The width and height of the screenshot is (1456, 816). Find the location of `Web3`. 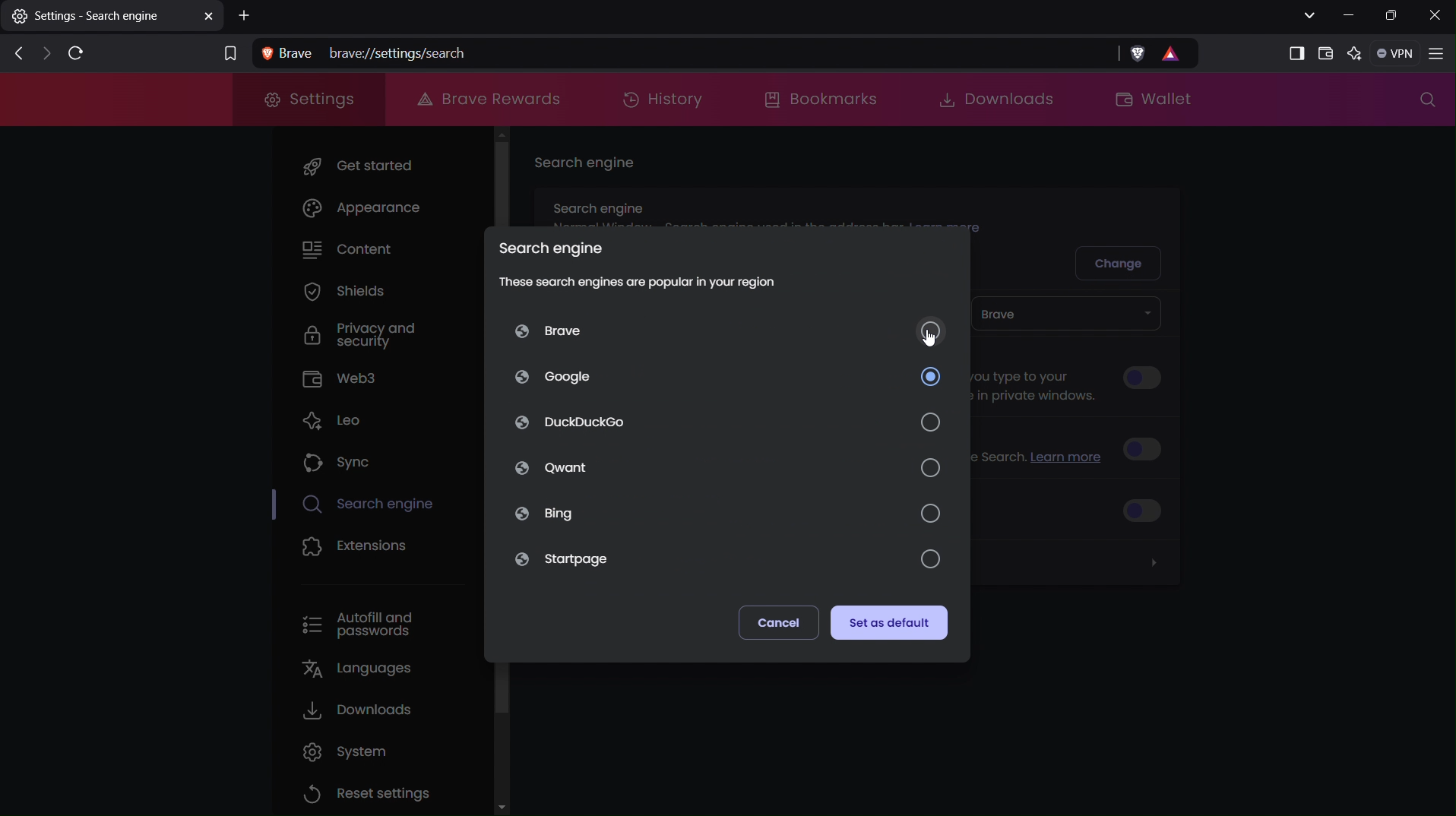

Web3 is located at coordinates (342, 378).